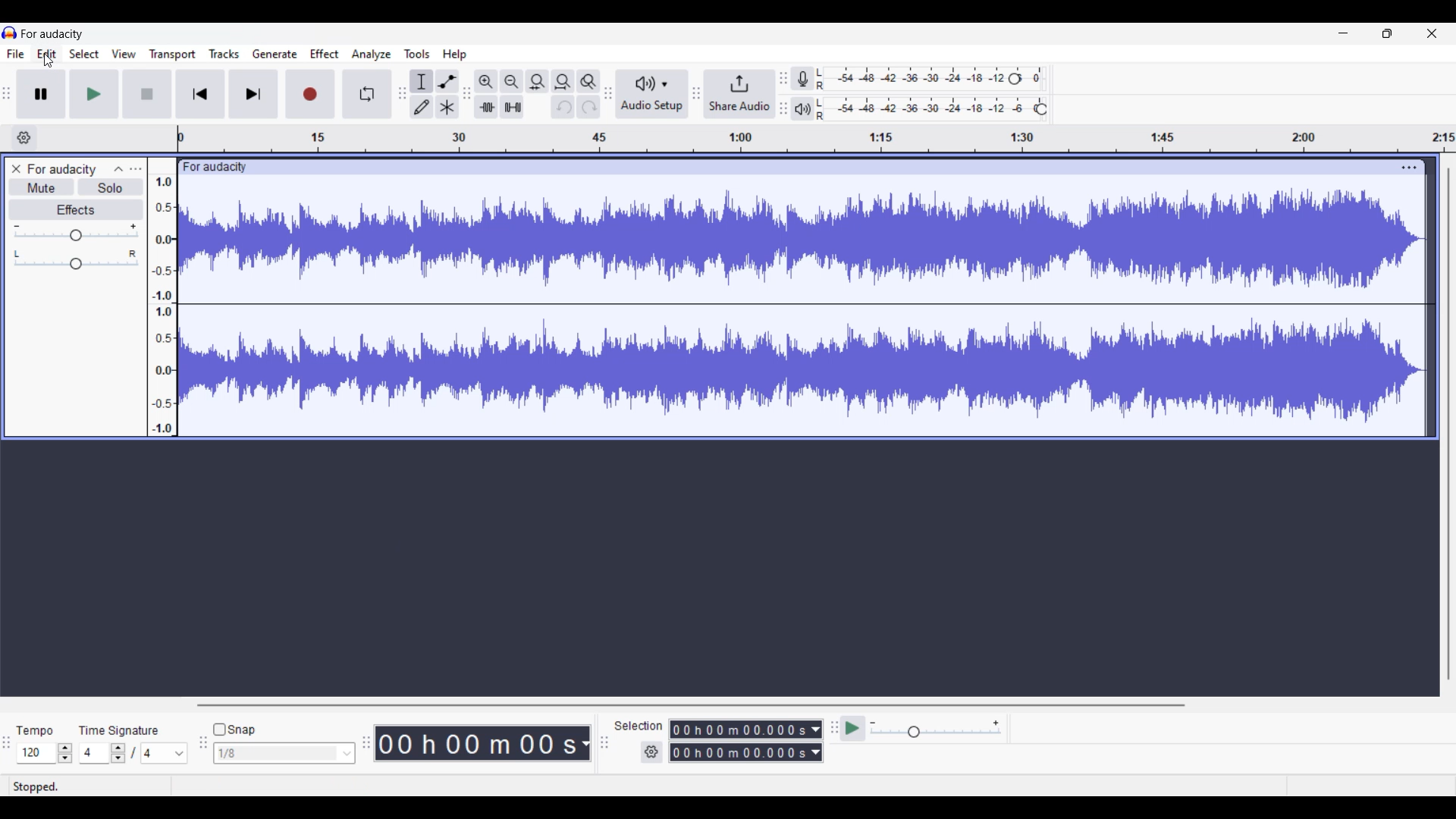 This screenshot has width=1456, height=819. I want to click on Generate menu, so click(275, 54).